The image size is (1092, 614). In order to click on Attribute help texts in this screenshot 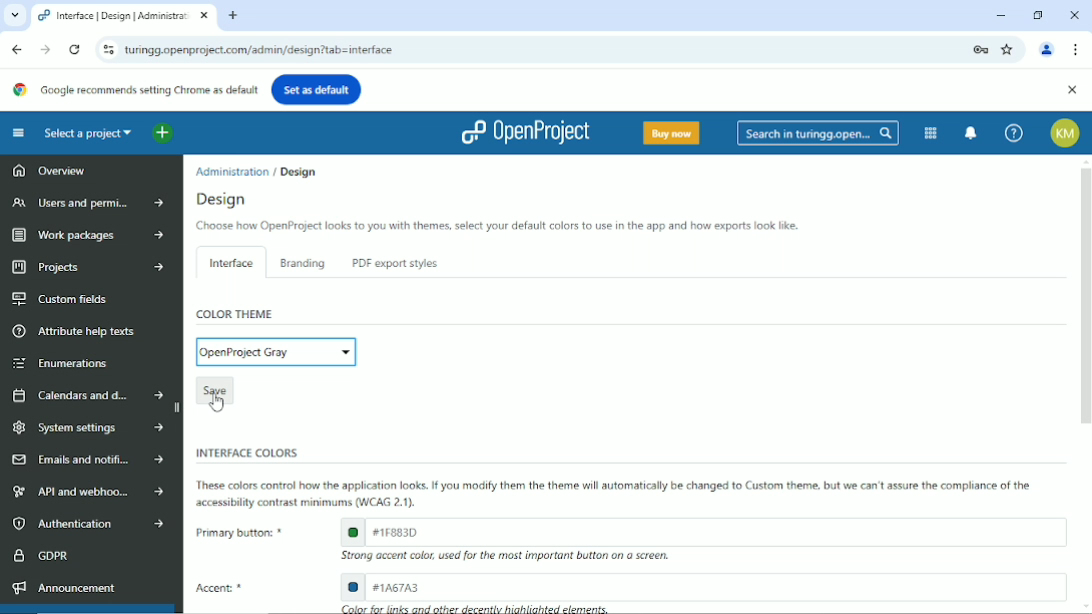, I will do `click(78, 331)`.